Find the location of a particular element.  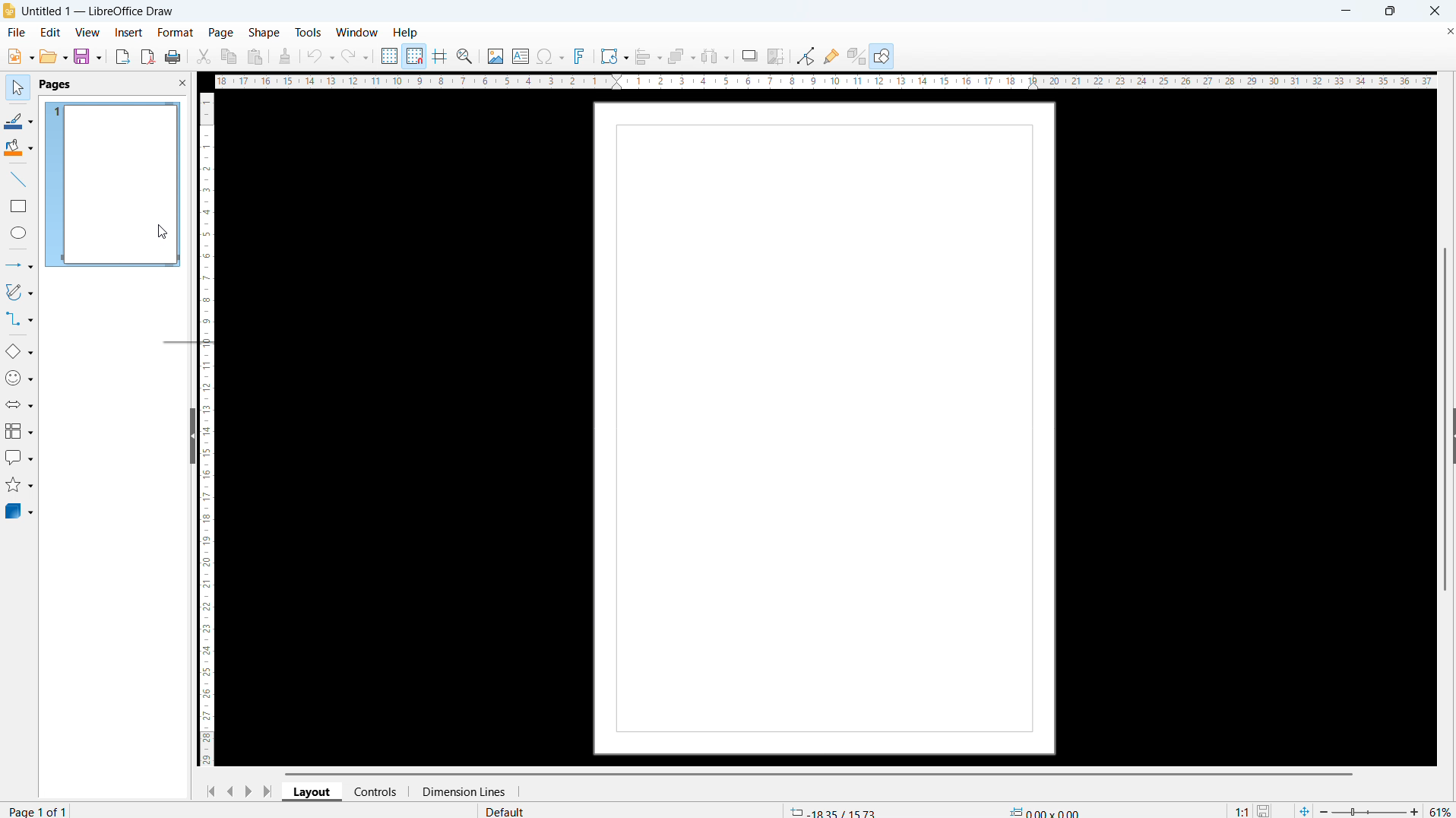

callout shapes is located at coordinates (20, 459).